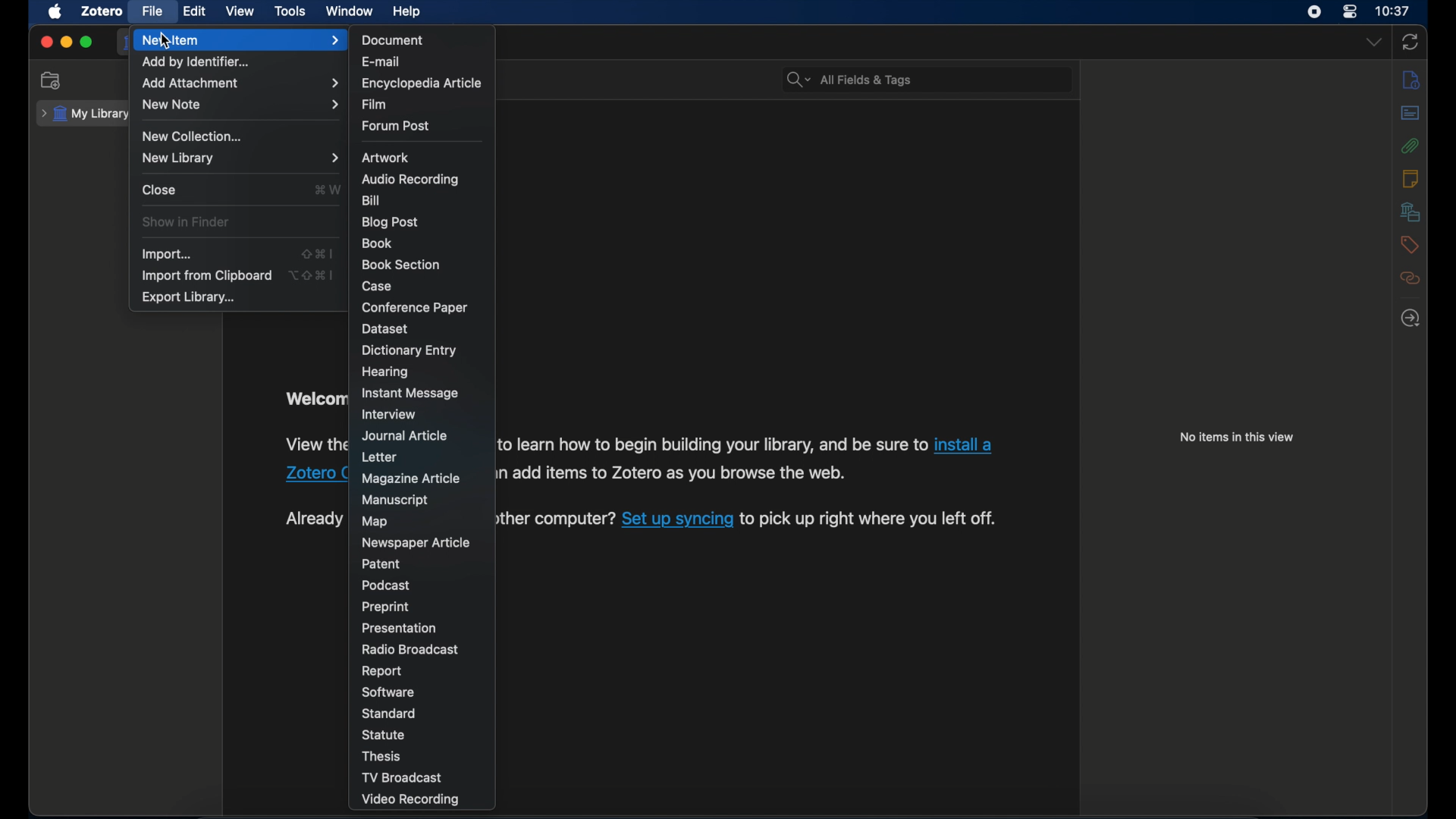 The height and width of the screenshot is (819, 1456). Describe the element at coordinates (411, 479) in the screenshot. I see `magazine article` at that location.